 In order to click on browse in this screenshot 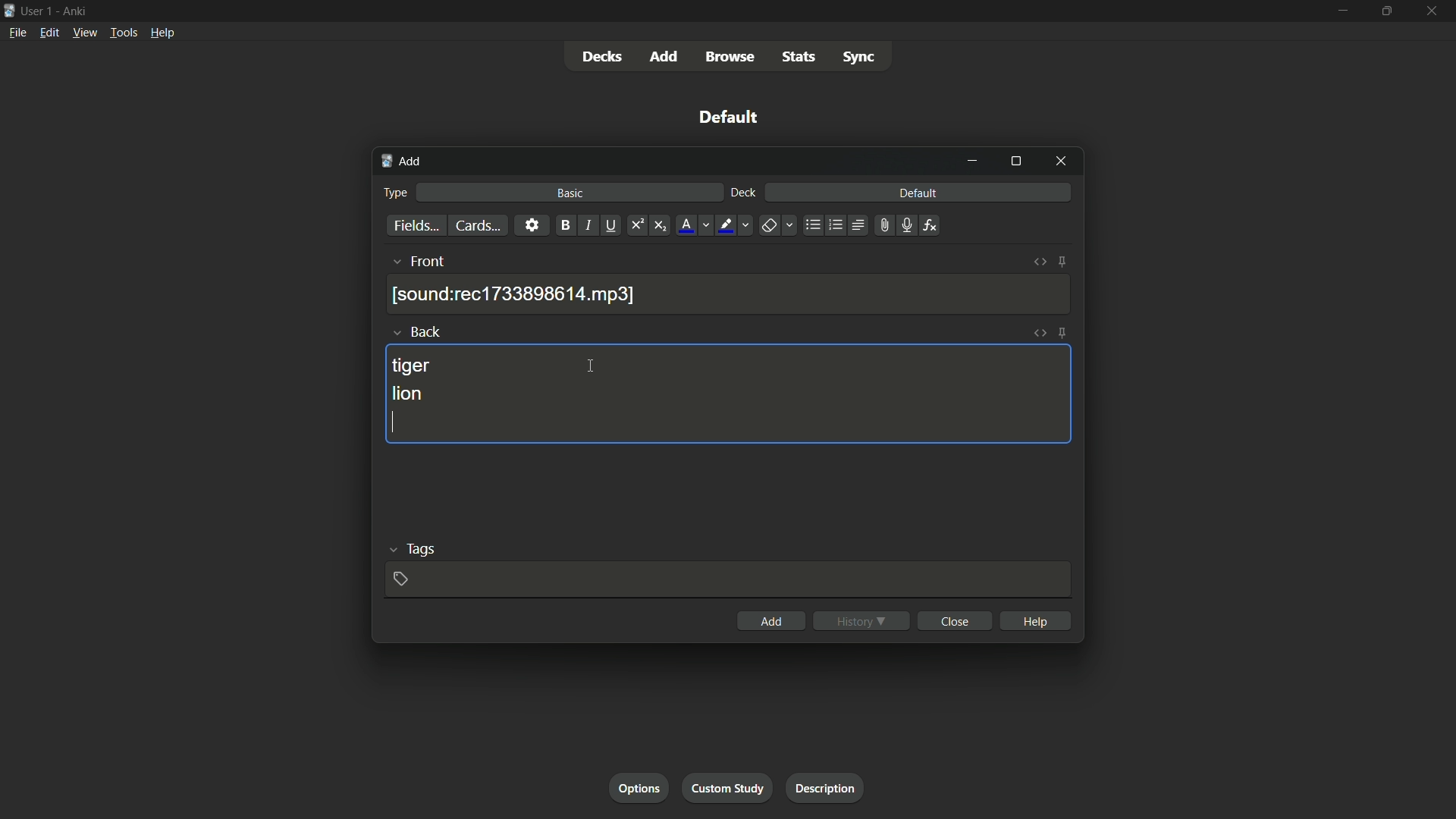, I will do `click(733, 57)`.